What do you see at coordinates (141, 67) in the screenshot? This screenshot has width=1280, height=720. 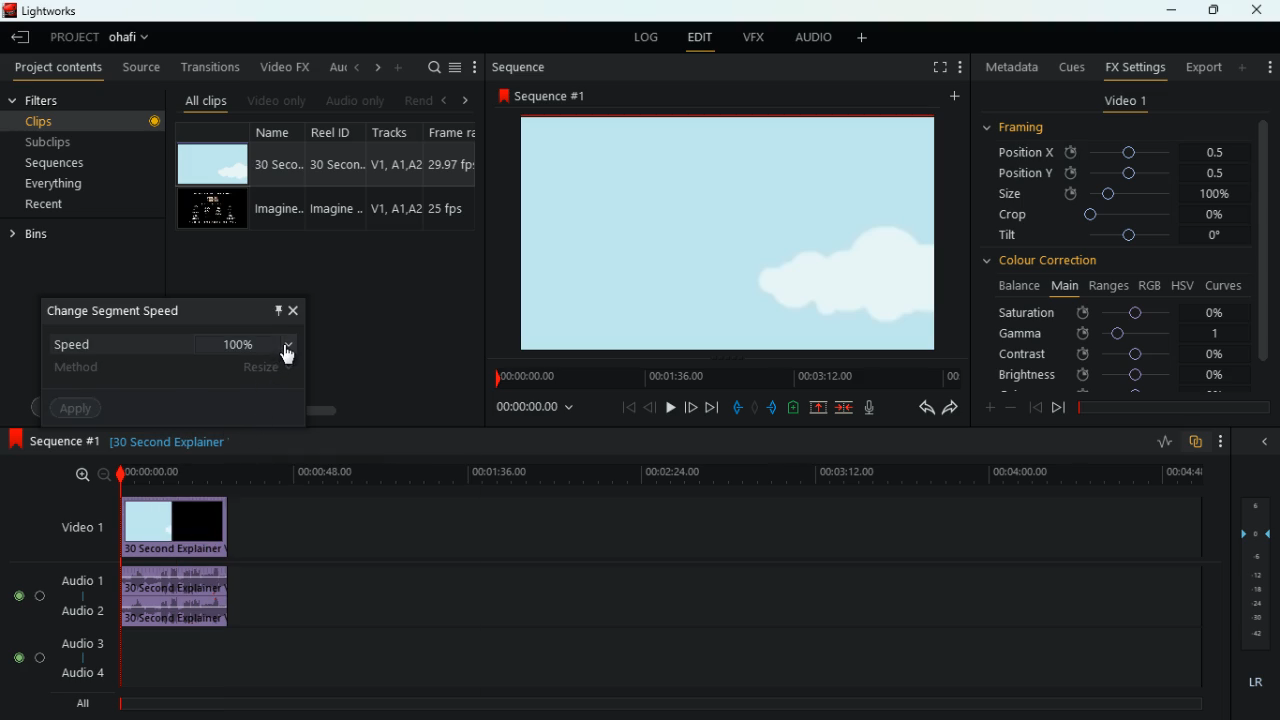 I see `source` at bounding box center [141, 67].